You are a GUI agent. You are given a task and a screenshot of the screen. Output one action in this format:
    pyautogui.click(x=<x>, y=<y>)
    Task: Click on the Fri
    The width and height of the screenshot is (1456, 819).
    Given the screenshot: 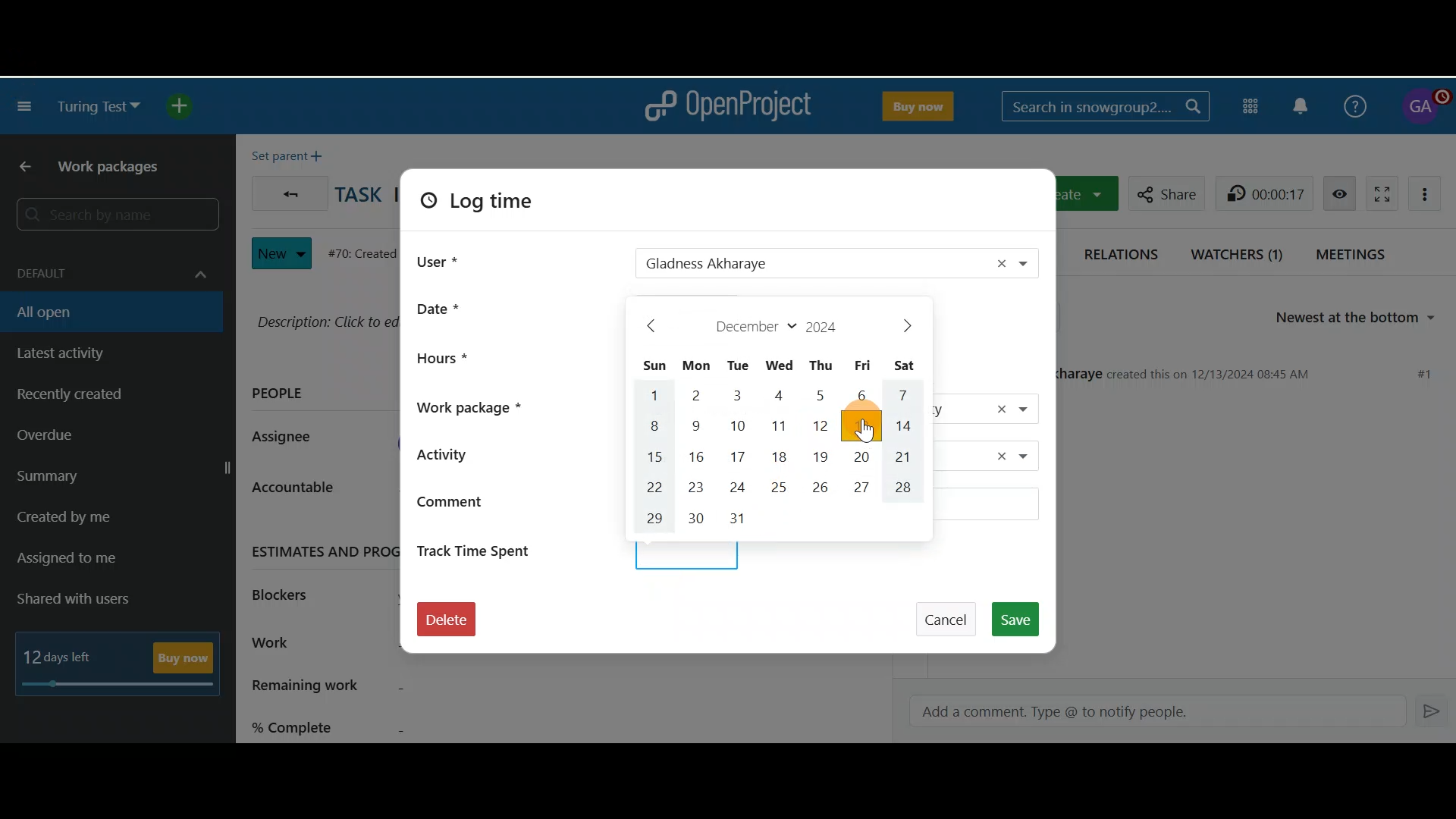 What is the action you would take?
    pyautogui.click(x=864, y=365)
    